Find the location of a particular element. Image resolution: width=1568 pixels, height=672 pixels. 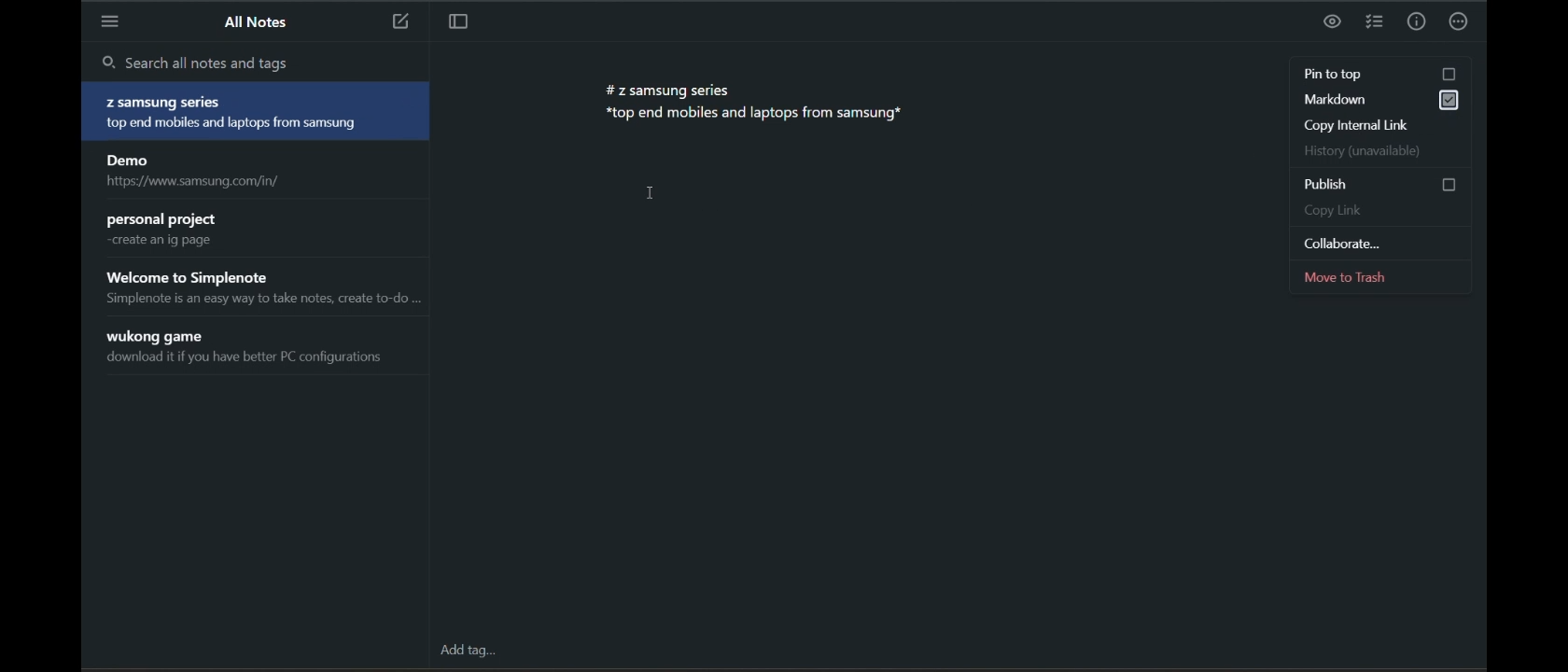

info is located at coordinates (1416, 21).